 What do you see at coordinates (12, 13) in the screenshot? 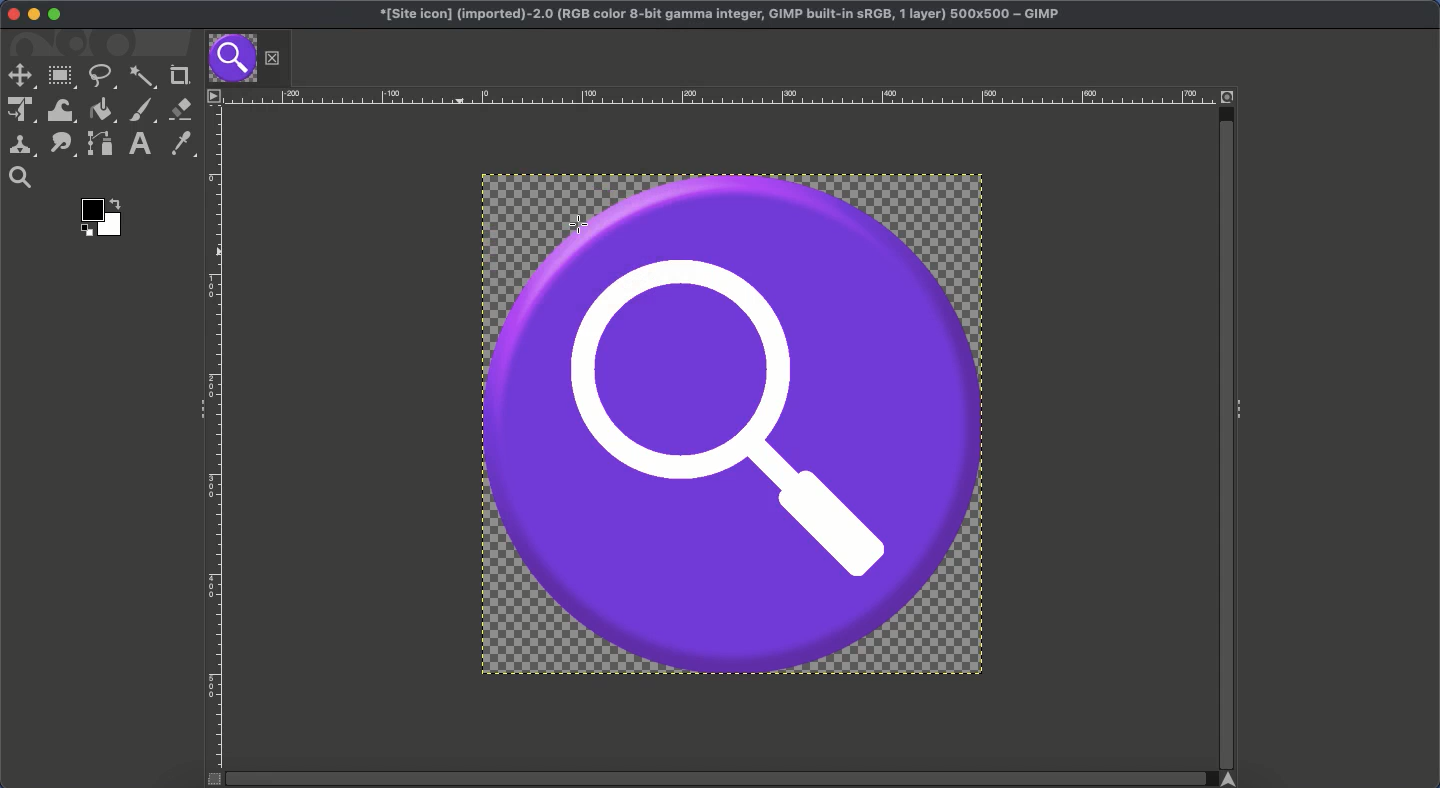
I see `Close` at bounding box center [12, 13].